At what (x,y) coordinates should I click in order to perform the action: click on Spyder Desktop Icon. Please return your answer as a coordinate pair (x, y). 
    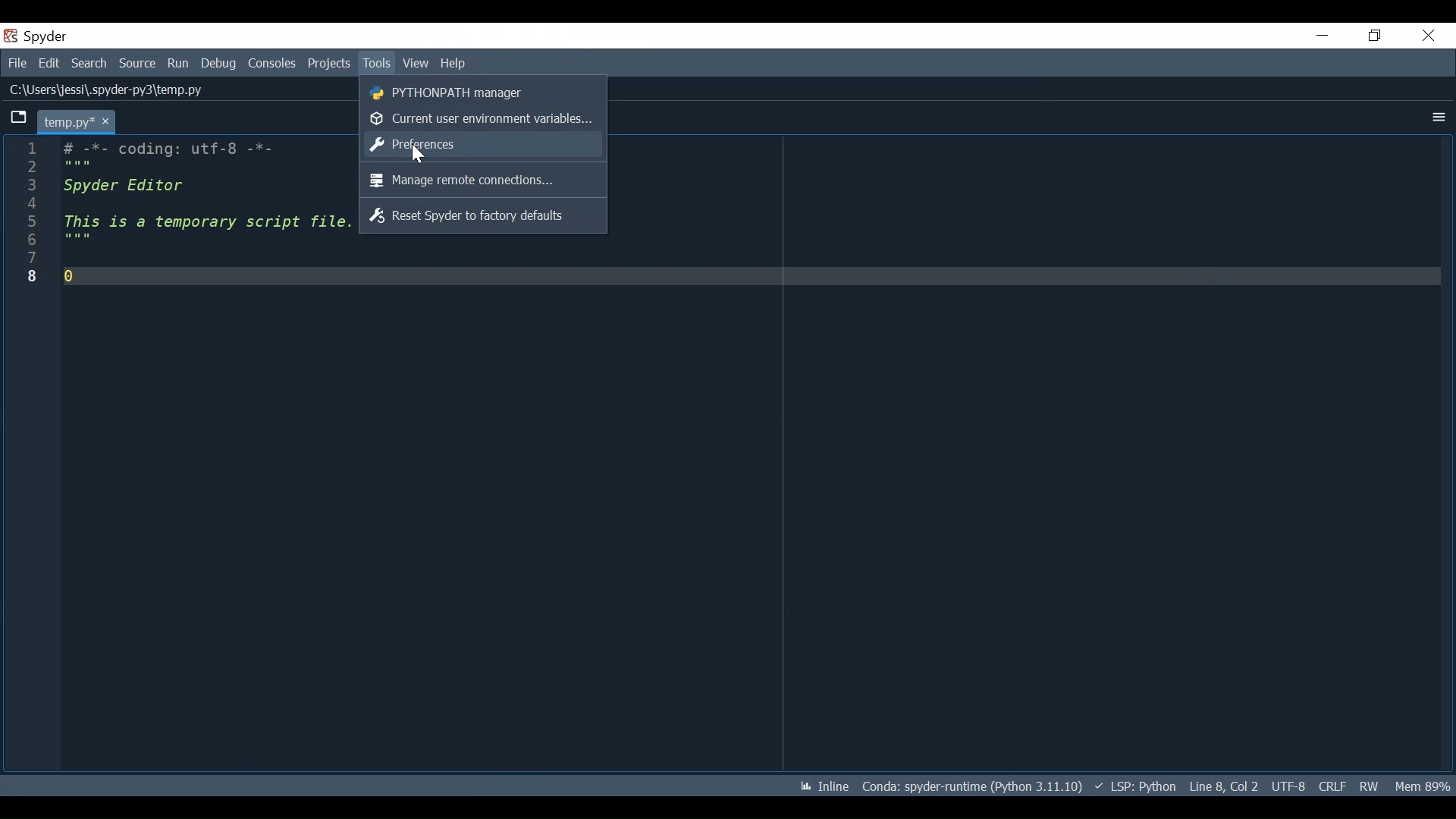
    Looking at the image, I should click on (39, 37).